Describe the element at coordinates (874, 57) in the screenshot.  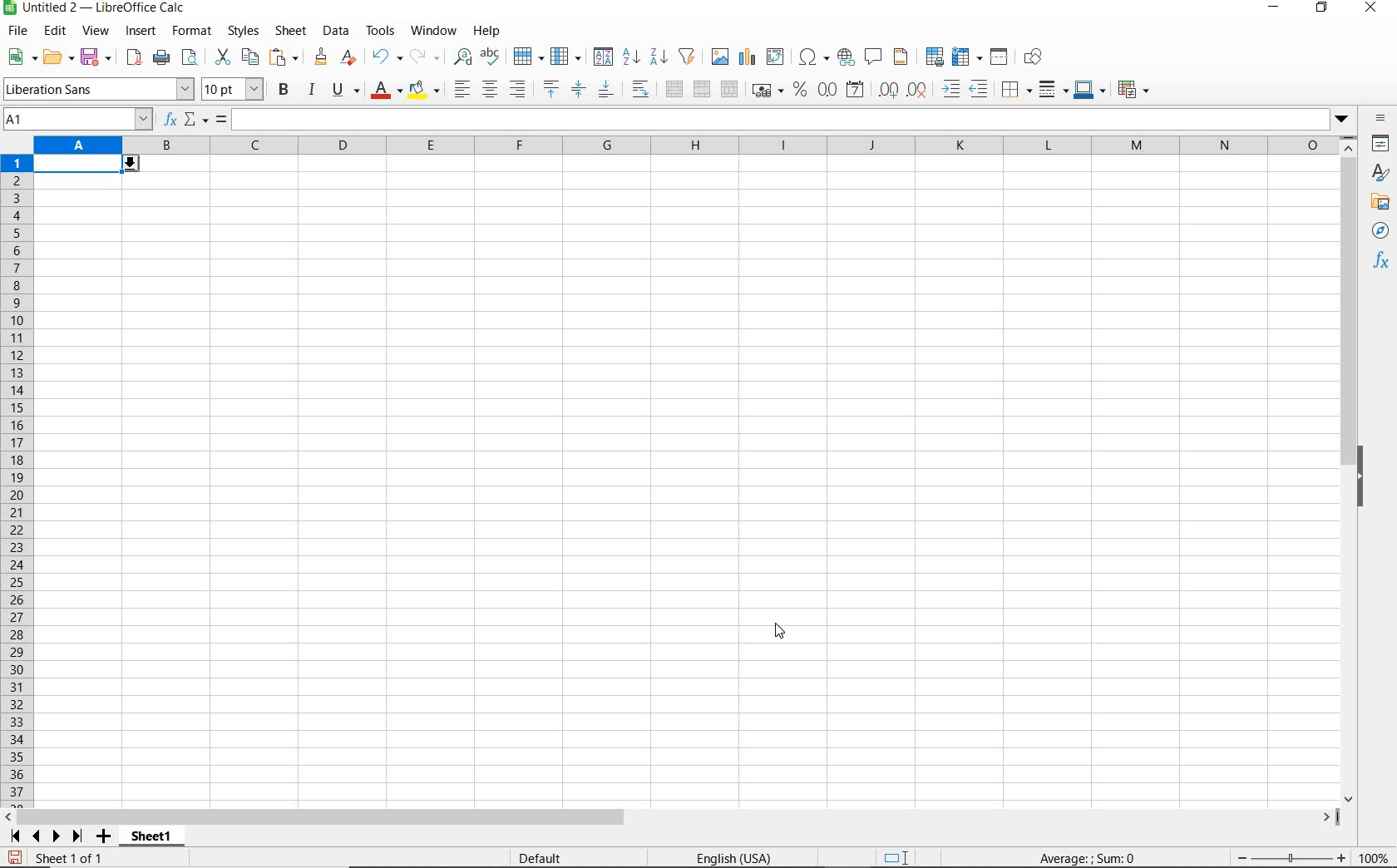
I see `insert comment ` at that location.